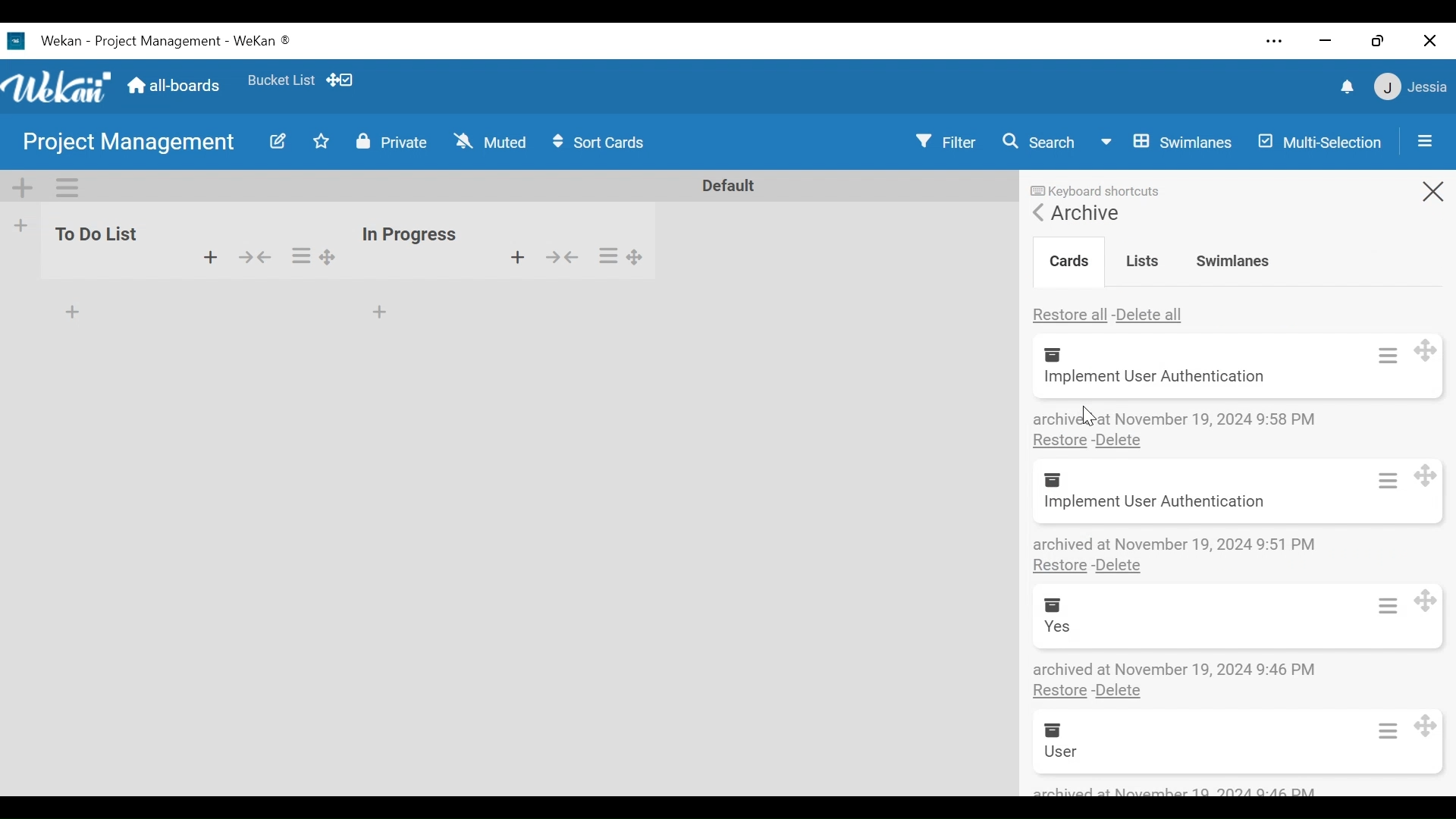 The width and height of the screenshot is (1456, 819). I want to click on Swimlane actions, so click(67, 188).